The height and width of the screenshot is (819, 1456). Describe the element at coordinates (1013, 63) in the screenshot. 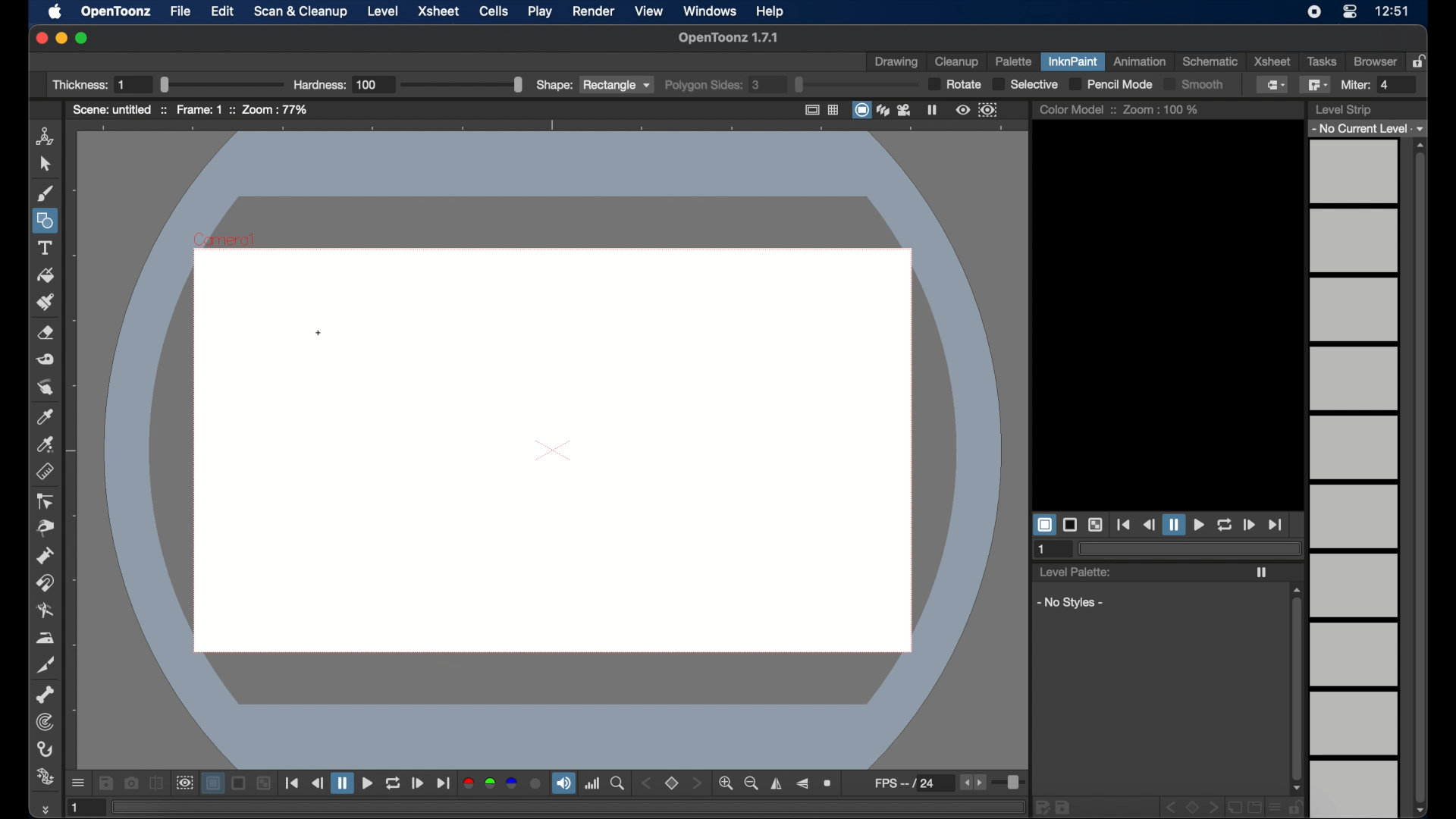

I see `palette` at that location.